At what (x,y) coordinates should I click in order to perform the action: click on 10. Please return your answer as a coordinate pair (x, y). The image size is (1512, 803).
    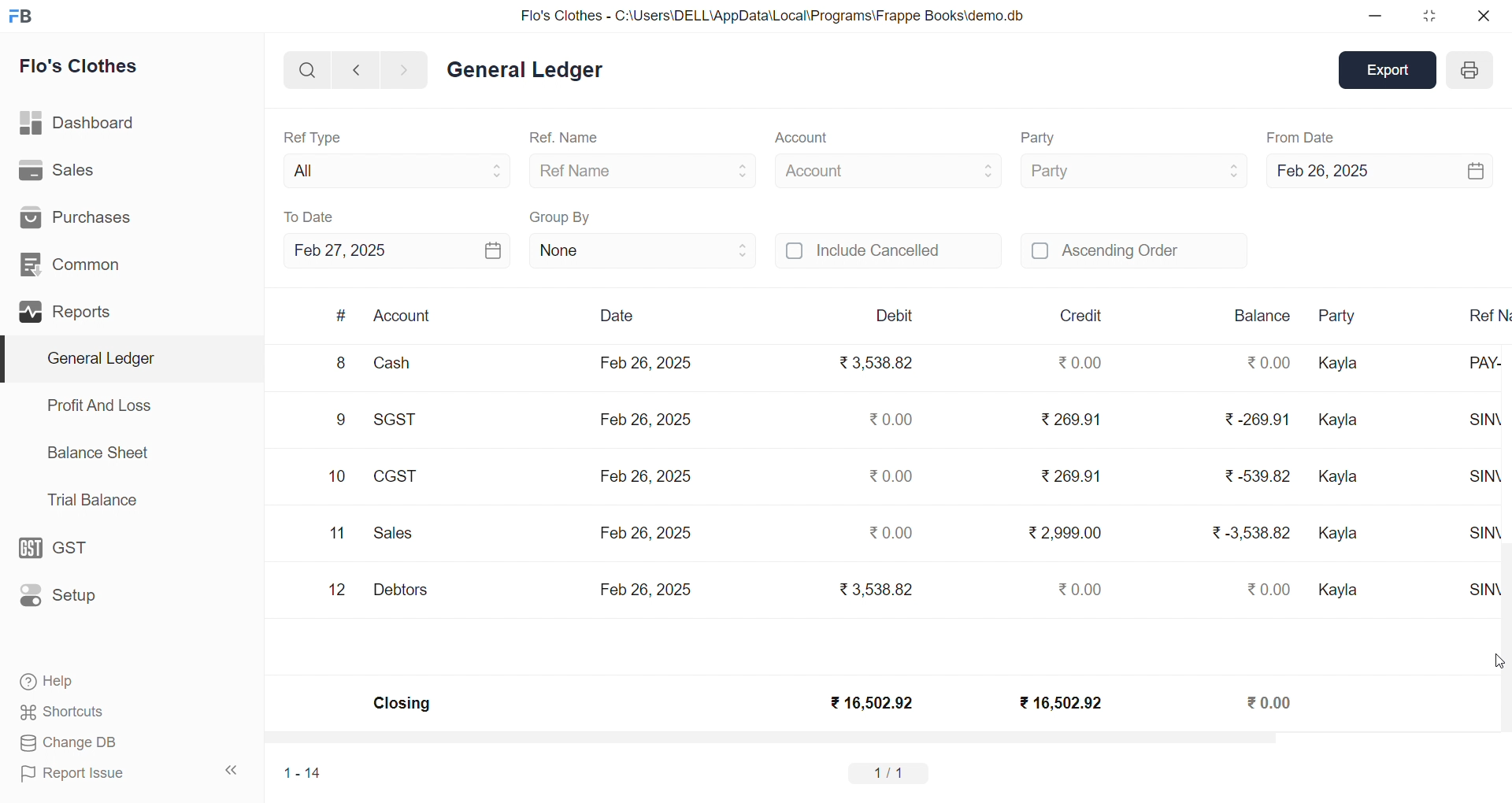
    Looking at the image, I should click on (337, 477).